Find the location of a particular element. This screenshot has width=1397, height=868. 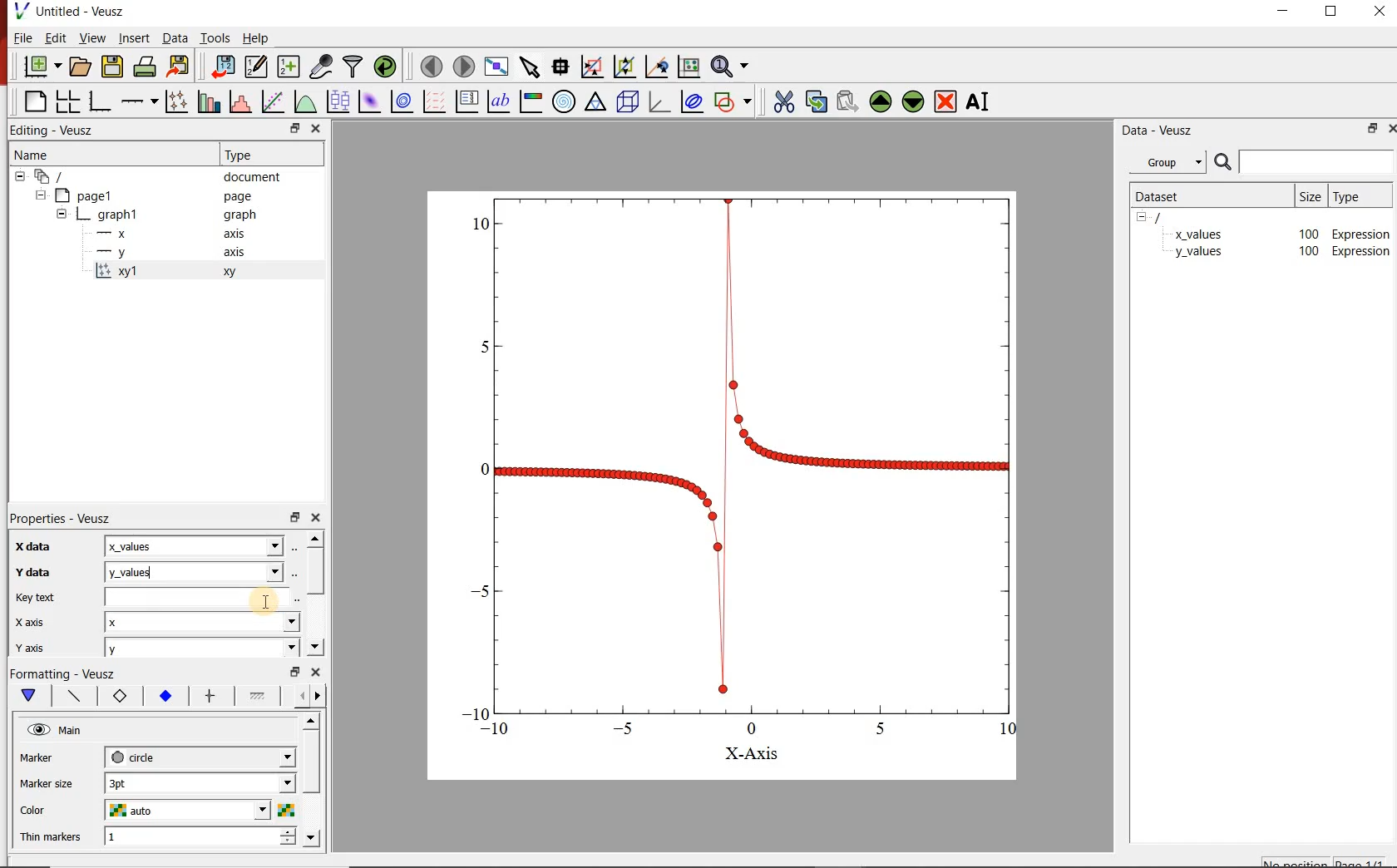

page is located at coordinates (236, 195).